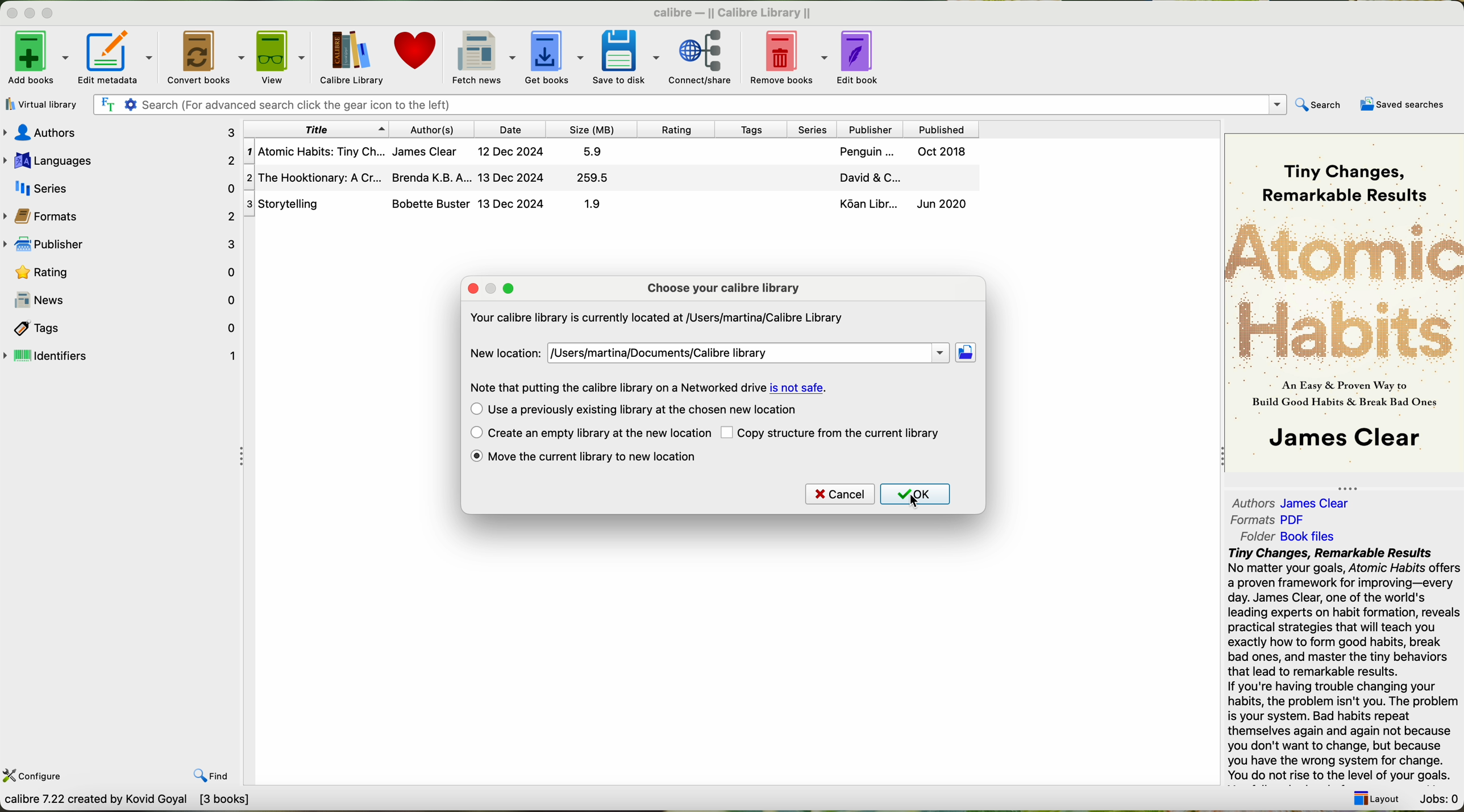  Describe the element at coordinates (788, 56) in the screenshot. I see `remove books` at that location.